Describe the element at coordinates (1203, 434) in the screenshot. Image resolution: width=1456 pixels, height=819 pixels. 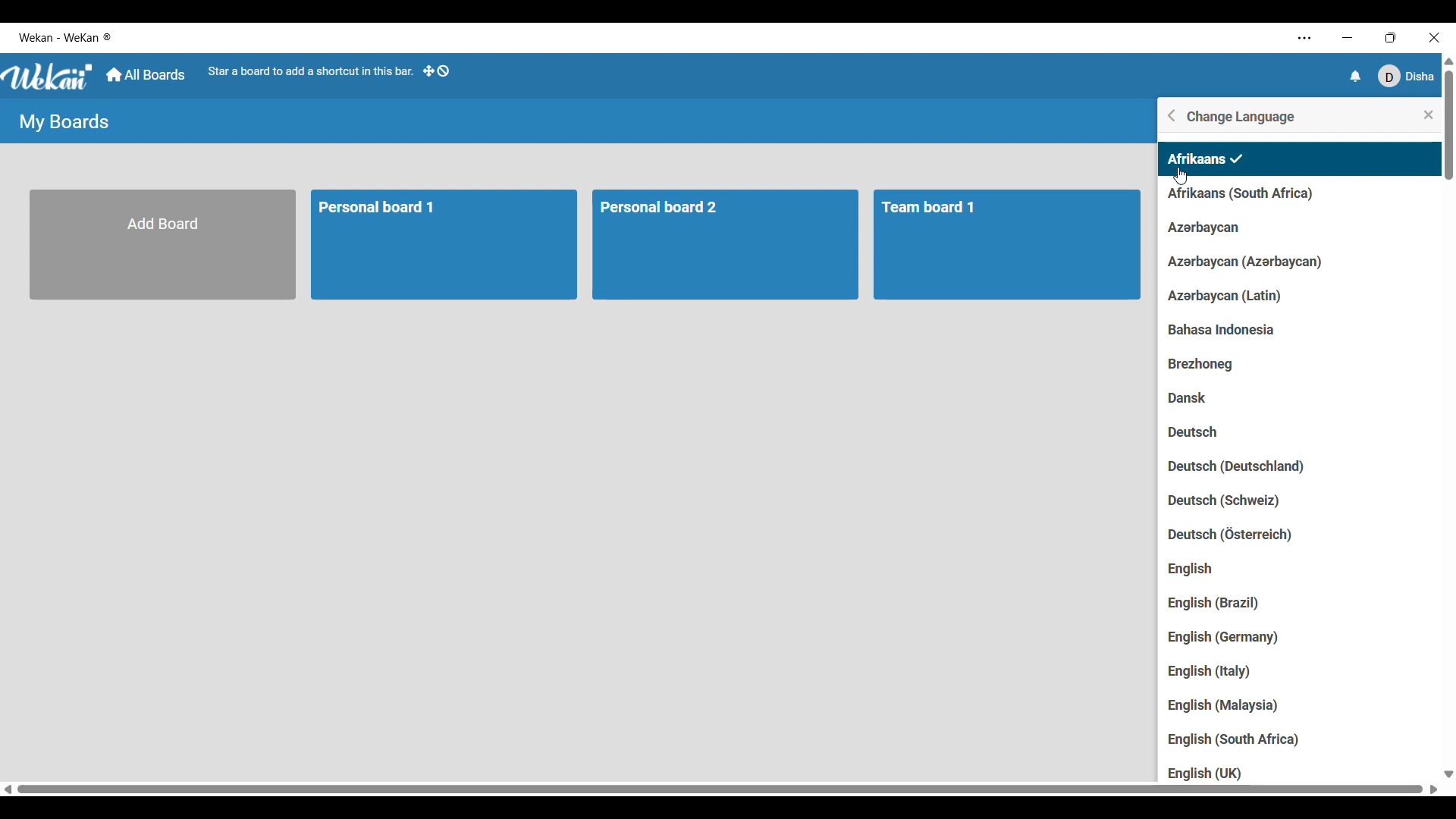
I see `Deutsch` at that location.